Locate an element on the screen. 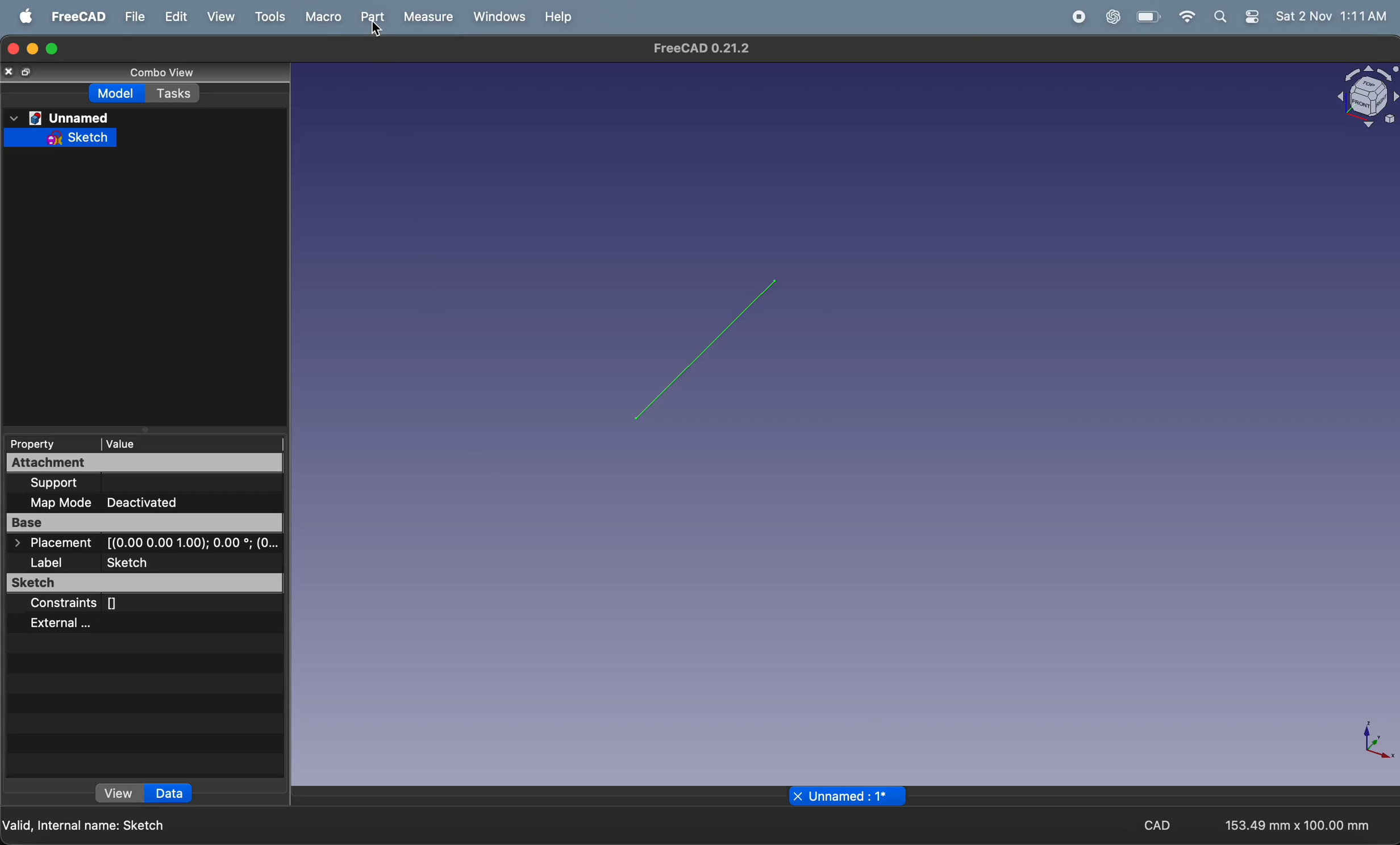 Image resolution: width=1400 pixels, height=845 pixels. sketch is located at coordinates (131, 563).